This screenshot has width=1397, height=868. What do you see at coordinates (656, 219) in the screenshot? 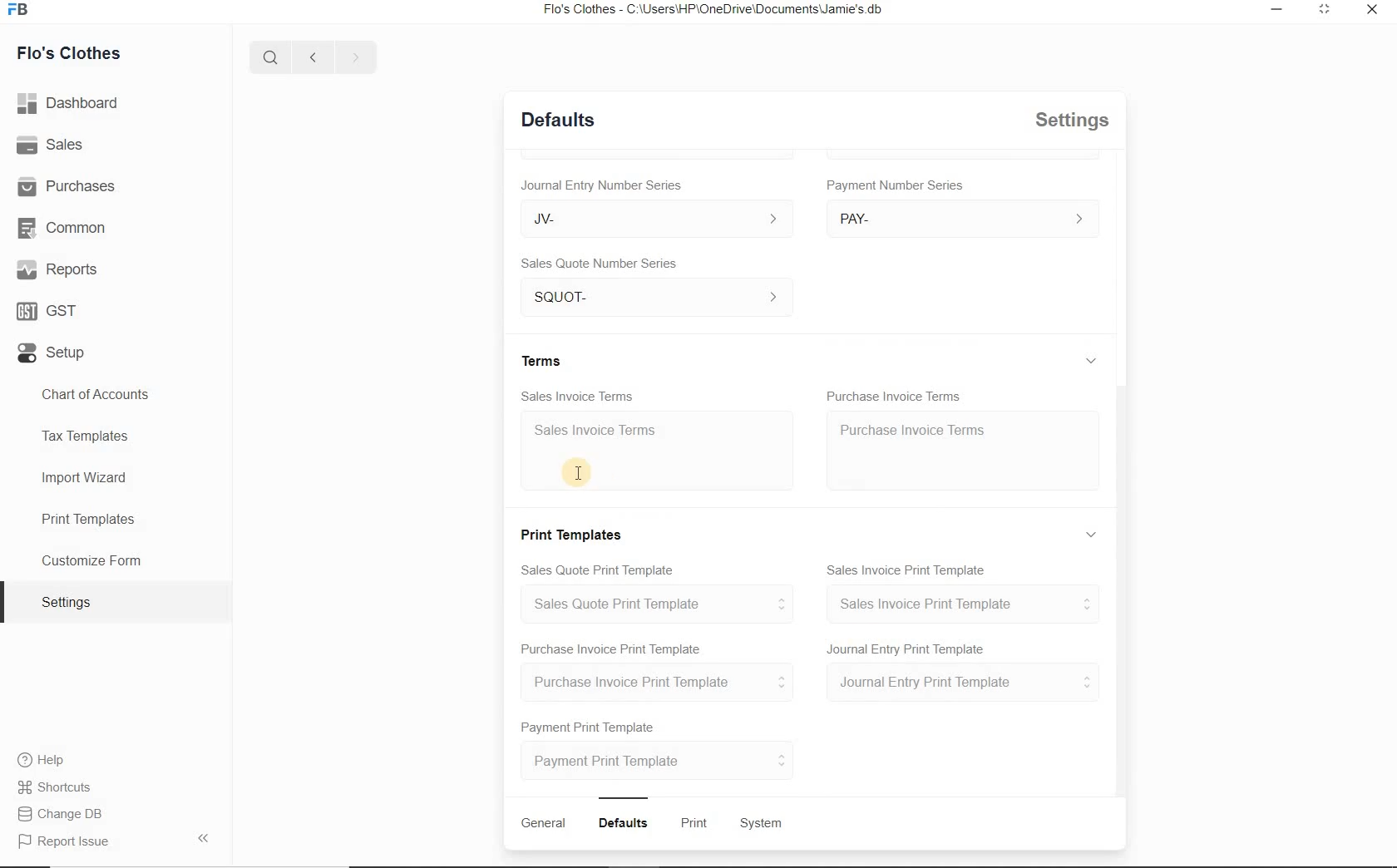
I see `JV-` at bounding box center [656, 219].